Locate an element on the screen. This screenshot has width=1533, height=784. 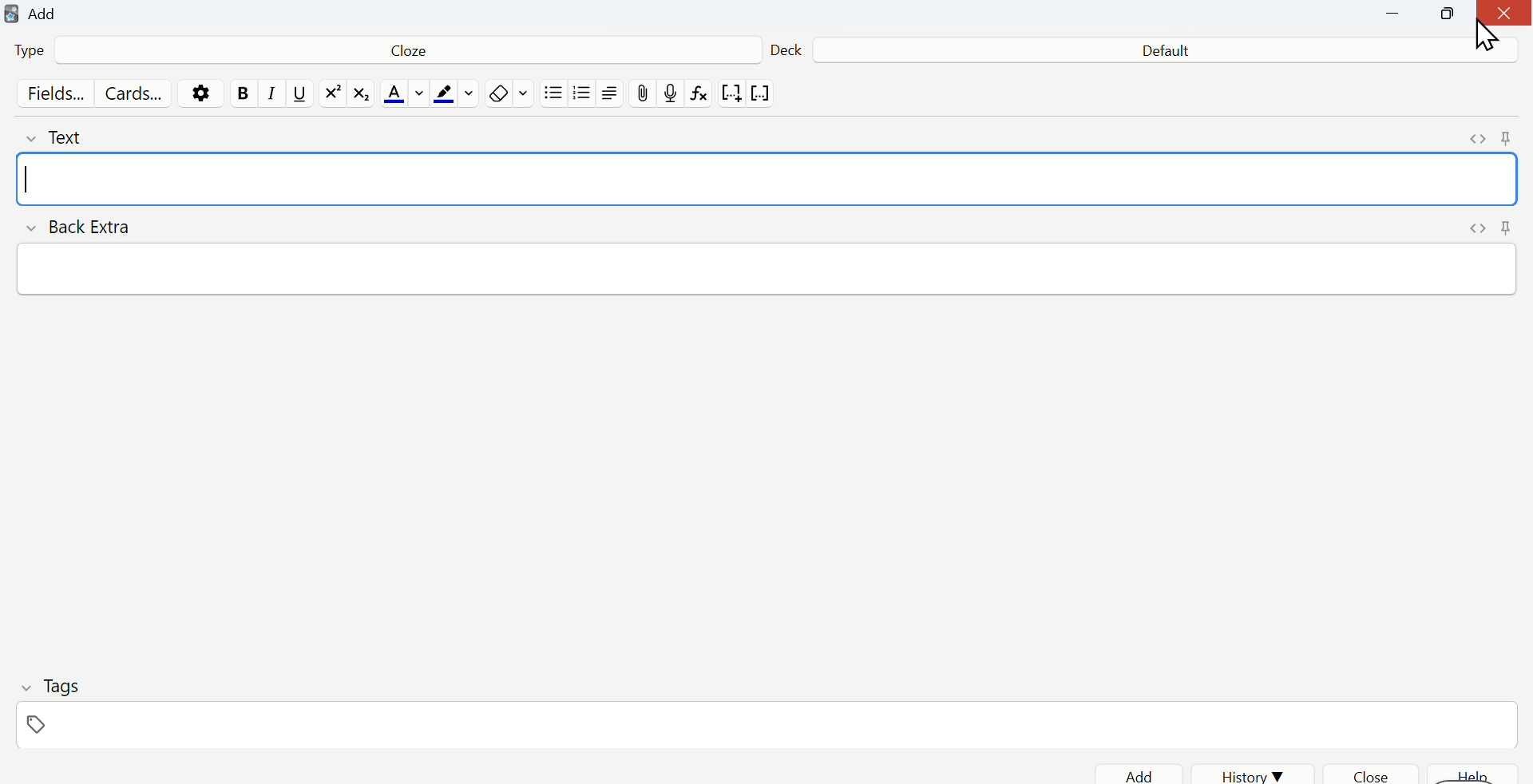
Default is located at coordinates (1159, 52).